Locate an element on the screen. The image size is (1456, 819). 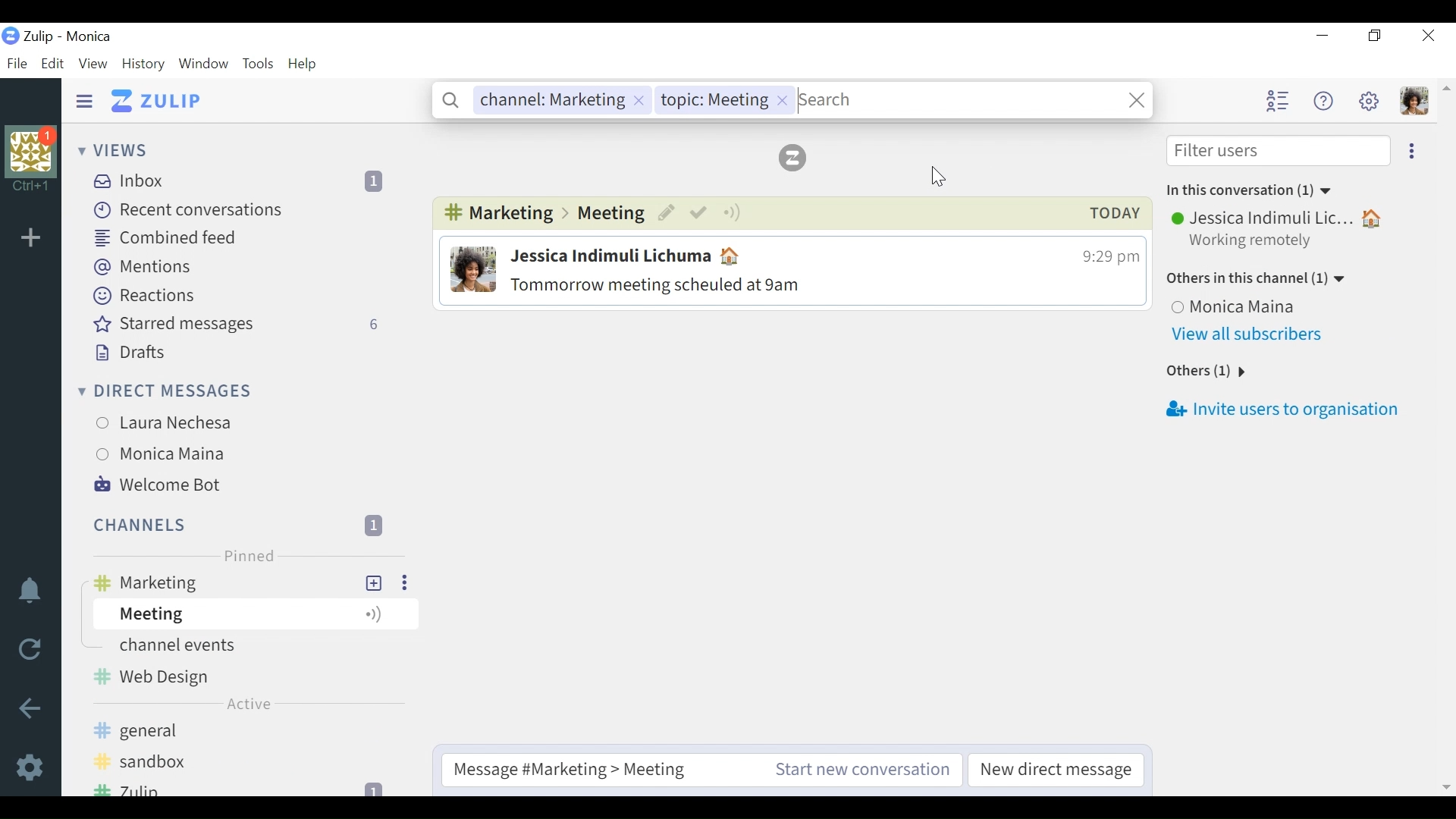
Hide is located at coordinates (87, 99).